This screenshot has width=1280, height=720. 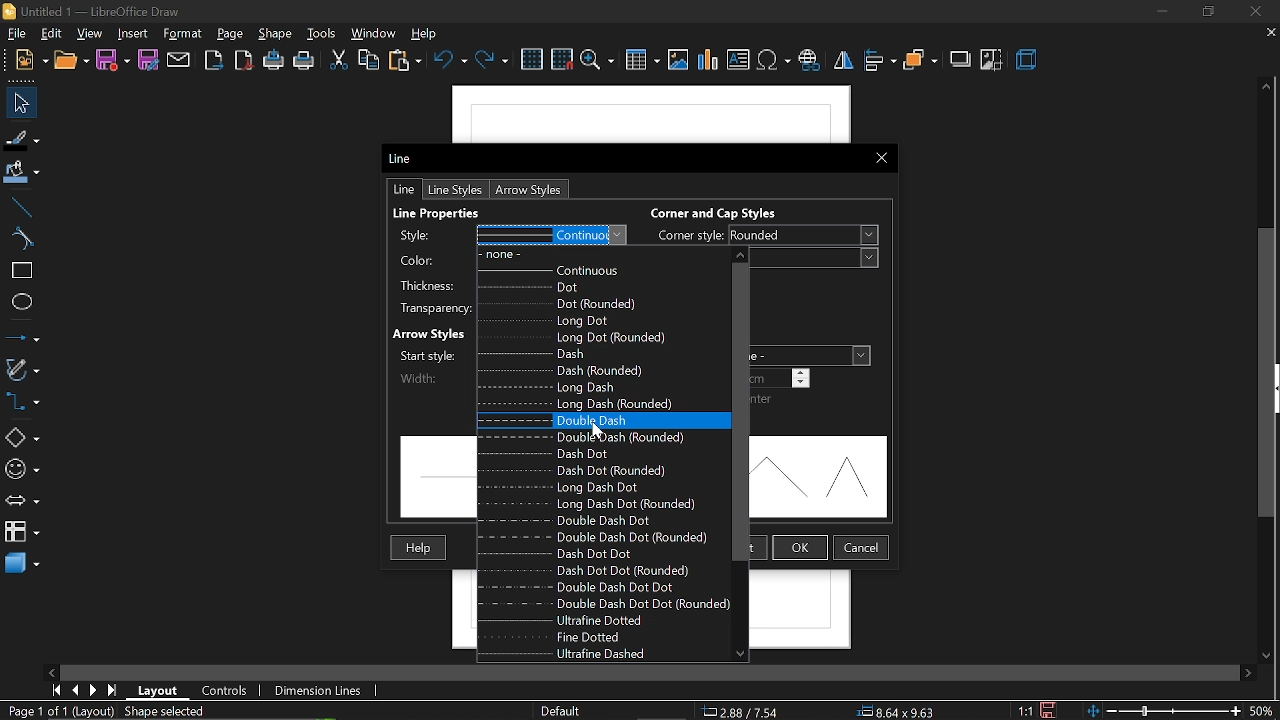 What do you see at coordinates (773, 60) in the screenshot?
I see `insert symbol` at bounding box center [773, 60].